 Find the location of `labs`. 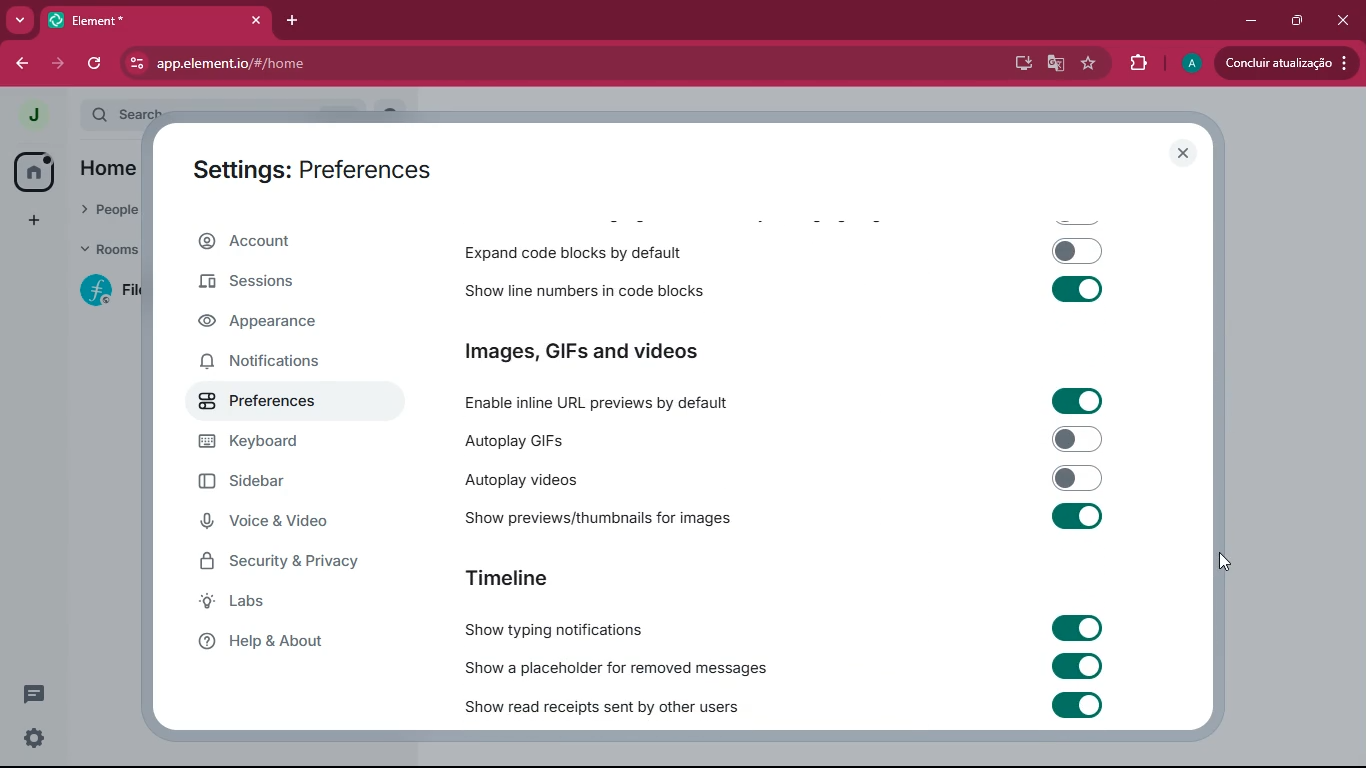

labs is located at coordinates (297, 602).